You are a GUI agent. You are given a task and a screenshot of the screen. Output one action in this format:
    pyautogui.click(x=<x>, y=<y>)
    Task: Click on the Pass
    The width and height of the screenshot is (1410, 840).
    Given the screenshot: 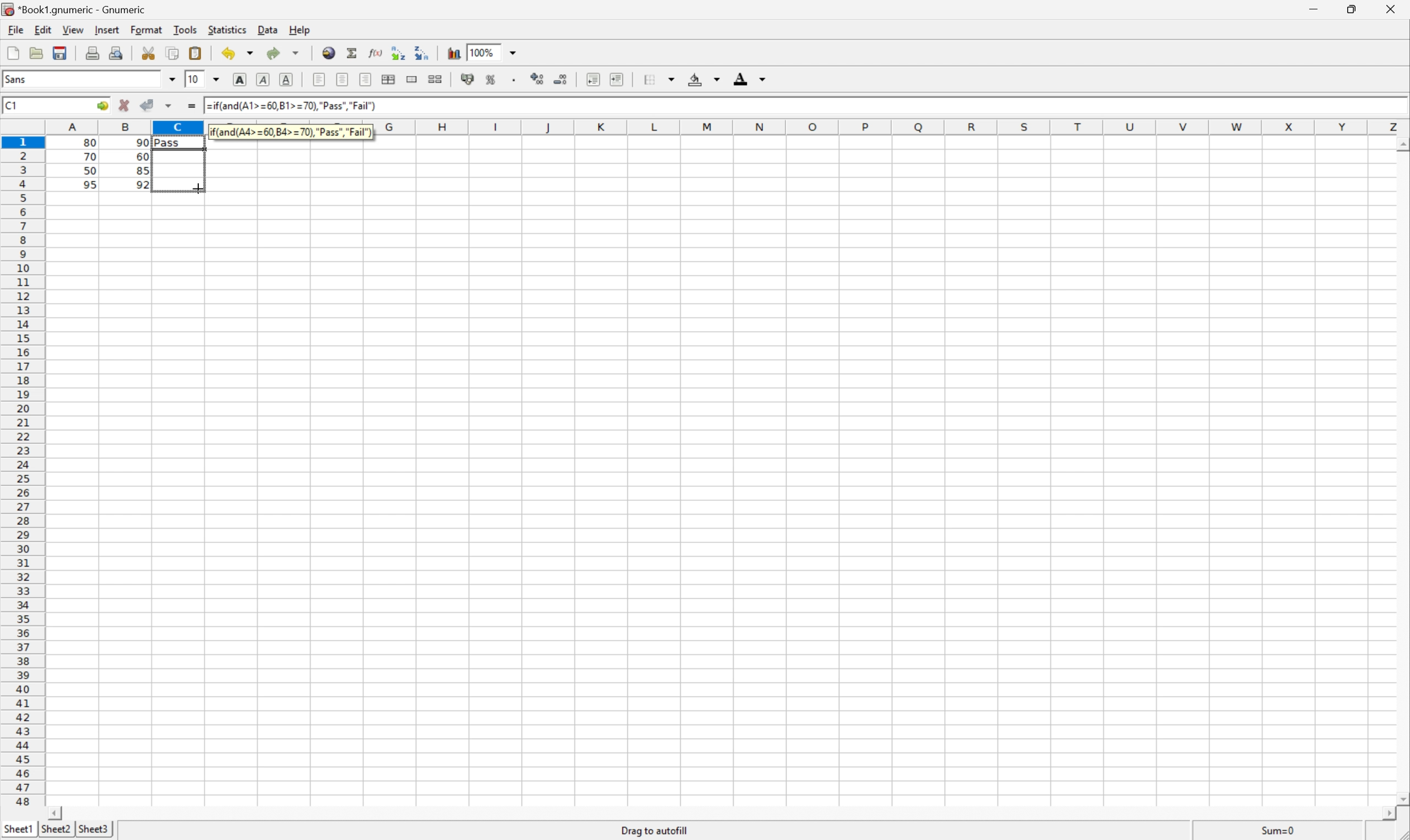 What is the action you would take?
    pyautogui.click(x=178, y=140)
    